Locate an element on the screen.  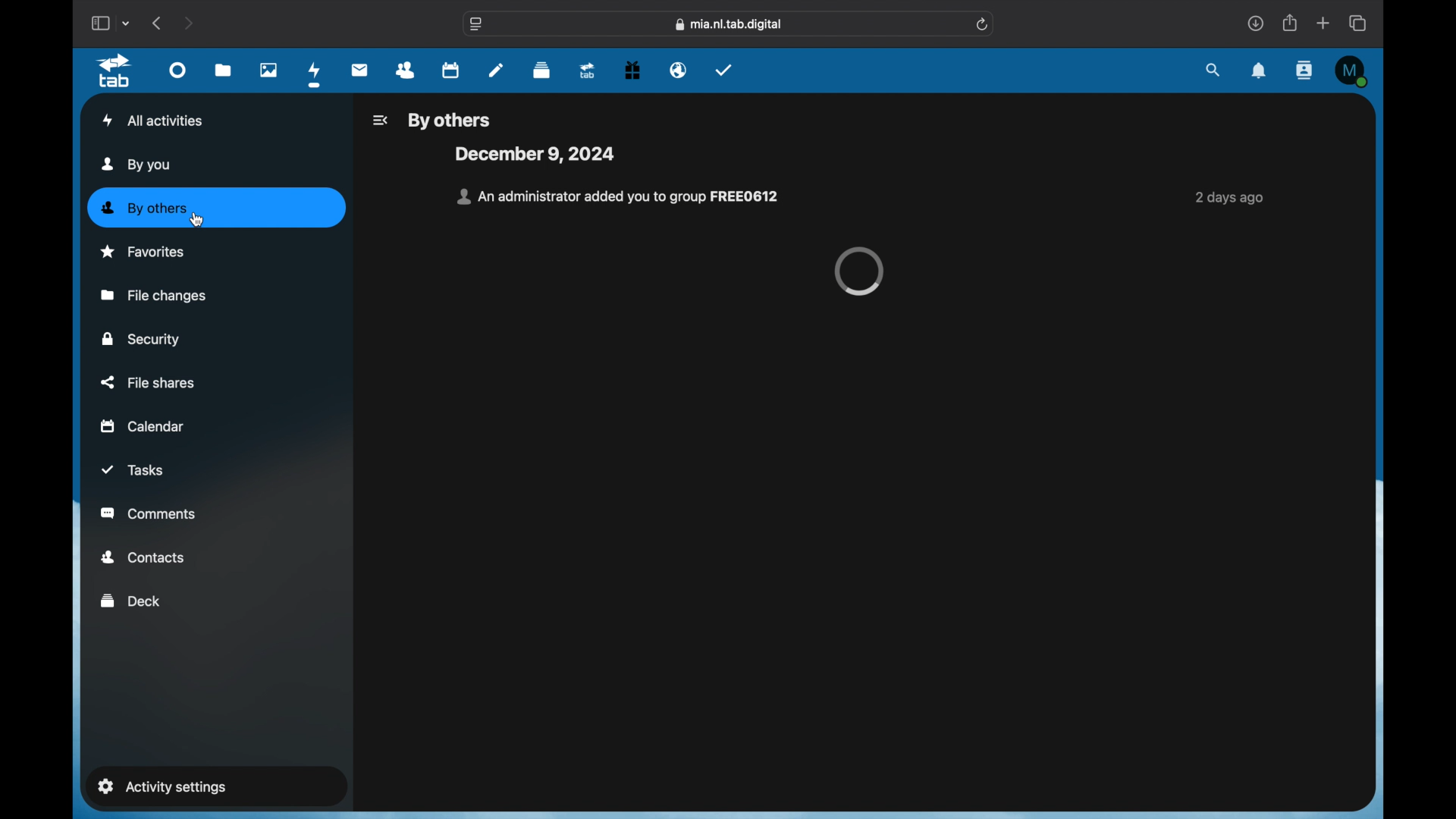
dashboard is located at coordinates (178, 71).